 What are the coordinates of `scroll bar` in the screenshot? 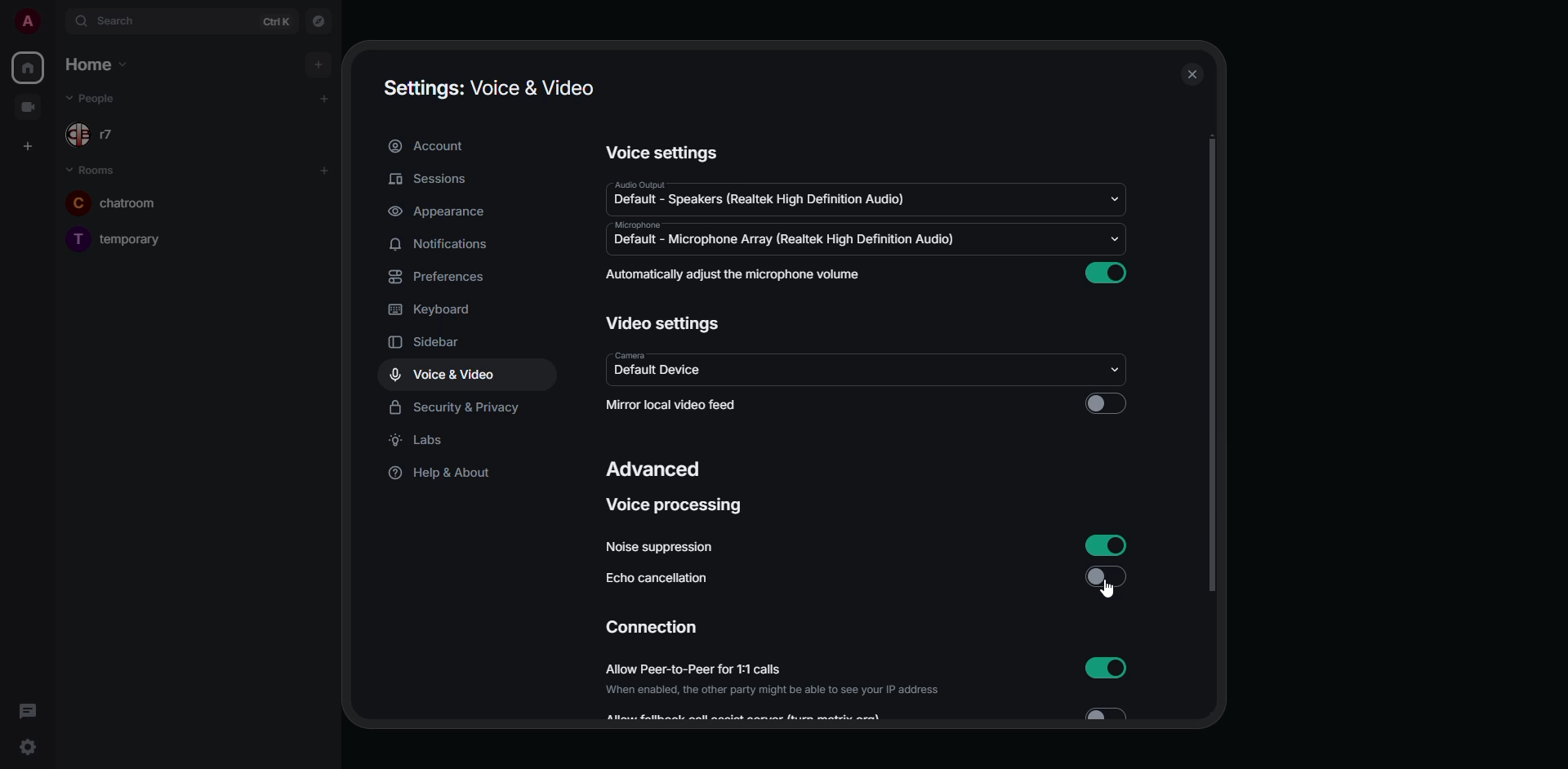 It's located at (1214, 363).